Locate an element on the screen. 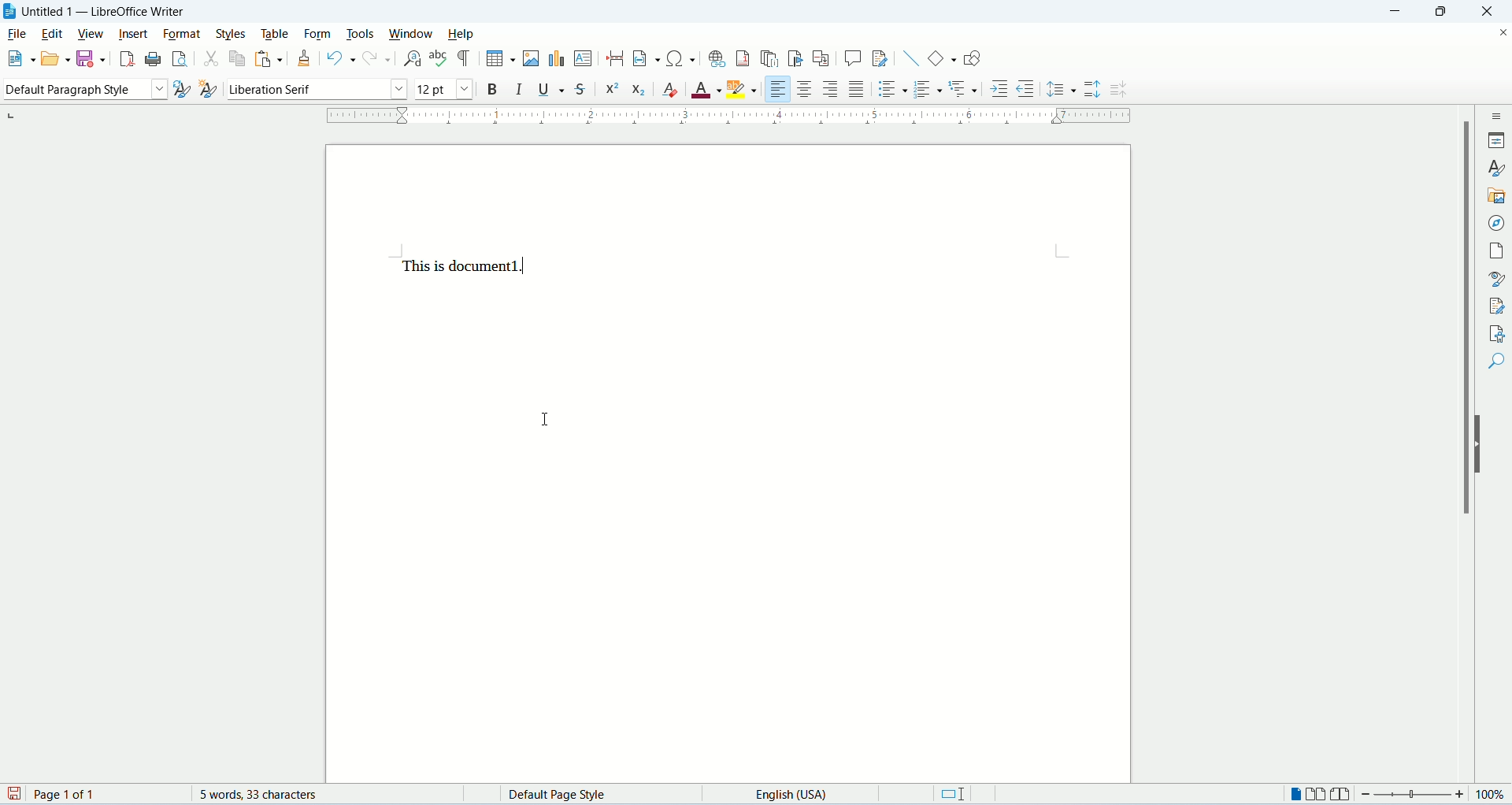 The width and height of the screenshot is (1512, 805). copy is located at coordinates (236, 61).